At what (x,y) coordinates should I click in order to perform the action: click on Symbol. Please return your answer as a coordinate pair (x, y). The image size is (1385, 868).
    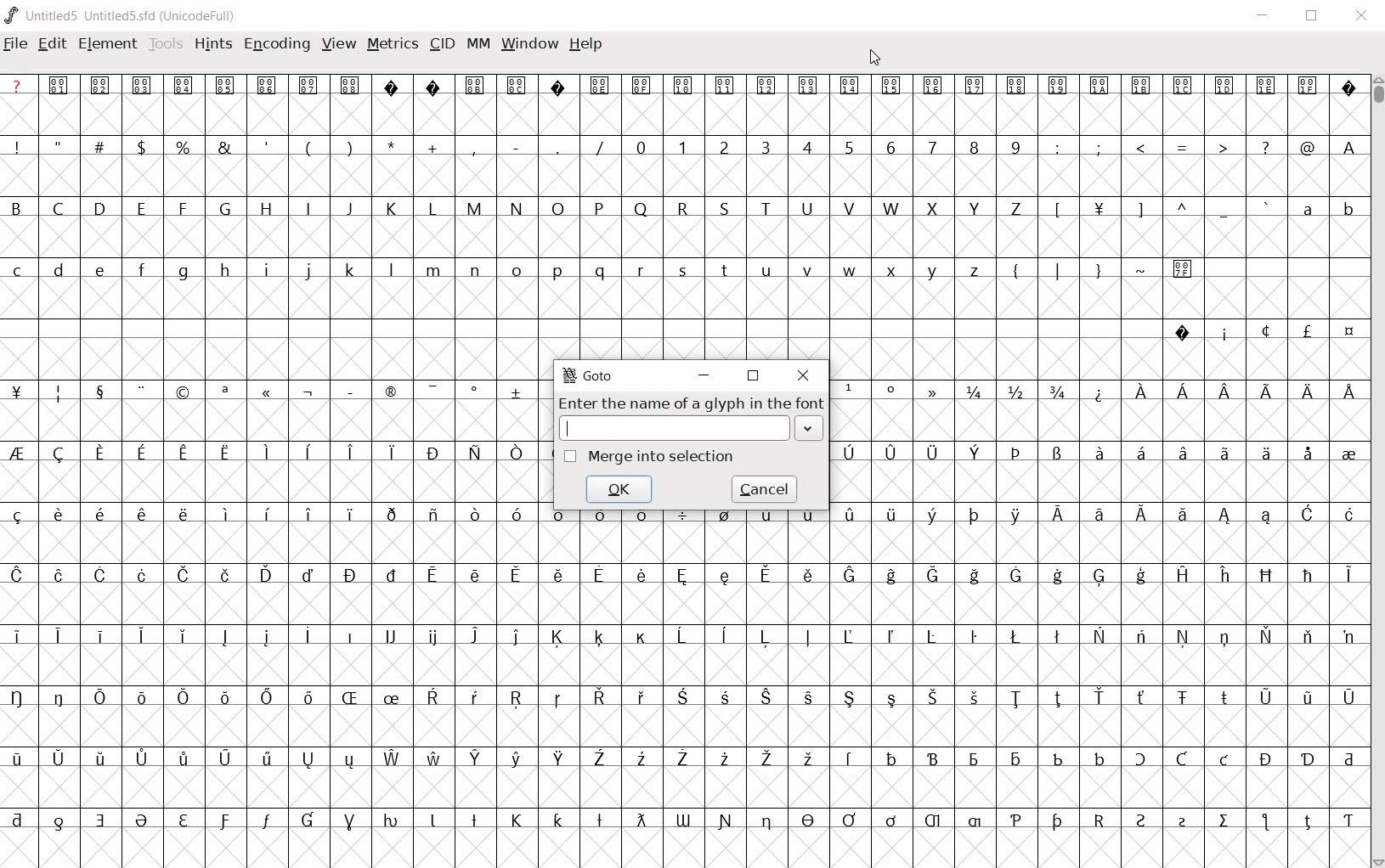
    Looking at the image, I should click on (59, 454).